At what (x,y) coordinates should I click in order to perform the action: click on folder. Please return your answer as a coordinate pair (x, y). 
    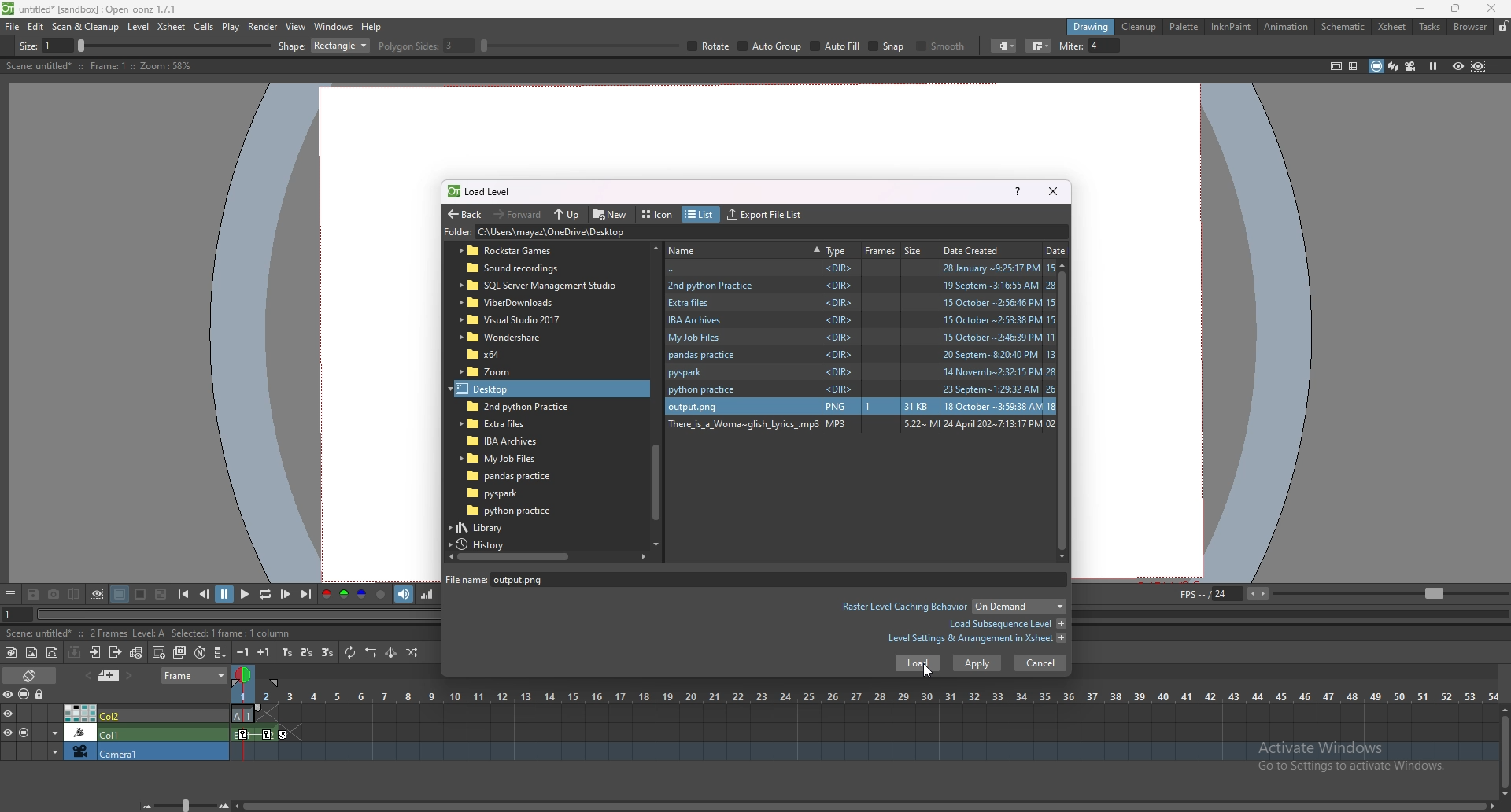
    Looking at the image, I should click on (498, 354).